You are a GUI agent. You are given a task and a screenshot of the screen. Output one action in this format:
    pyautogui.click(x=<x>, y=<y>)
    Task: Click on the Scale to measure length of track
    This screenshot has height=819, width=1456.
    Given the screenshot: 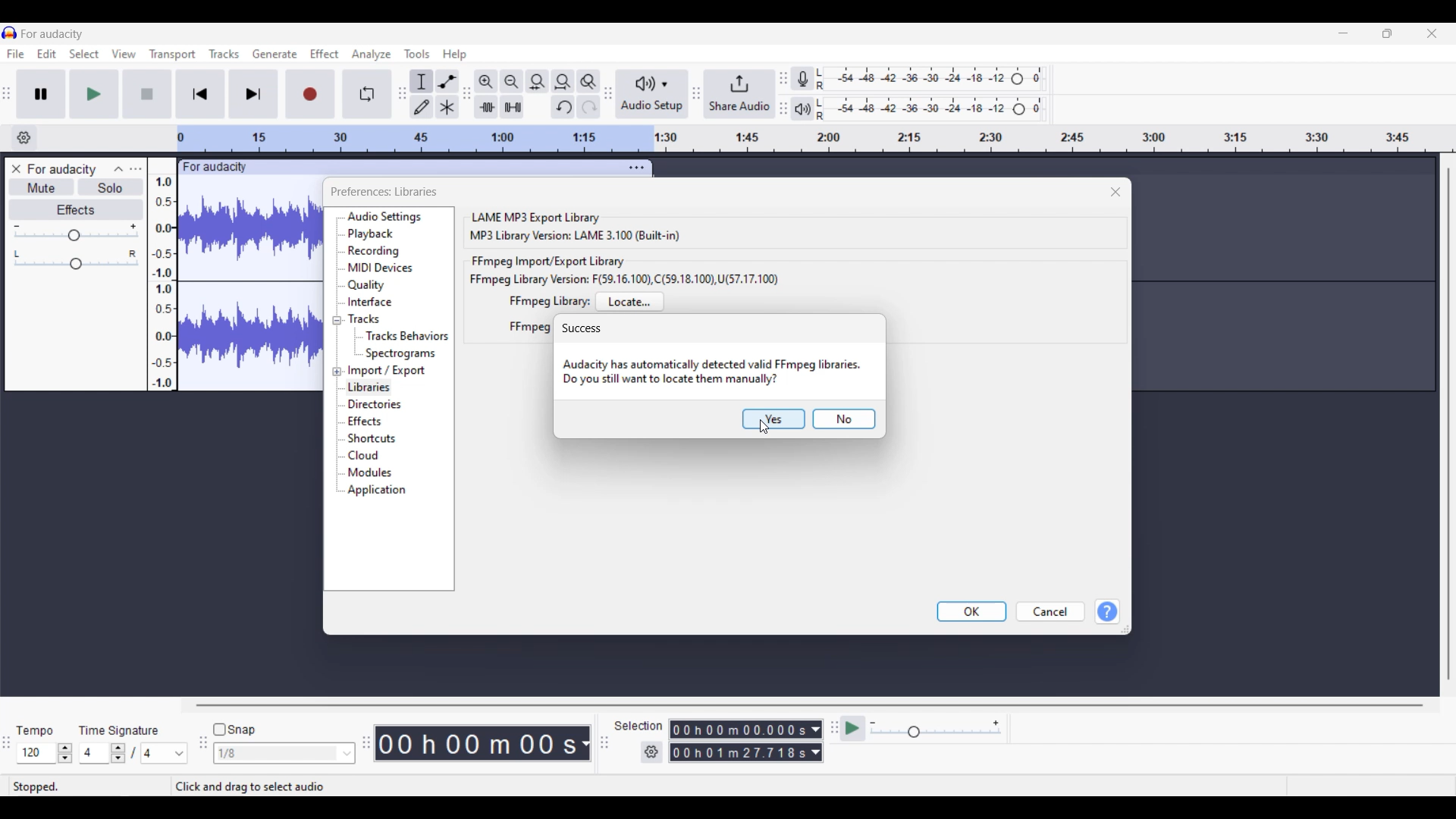 What is the action you would take?
    pyautogui.click(x=814, y=139)
    